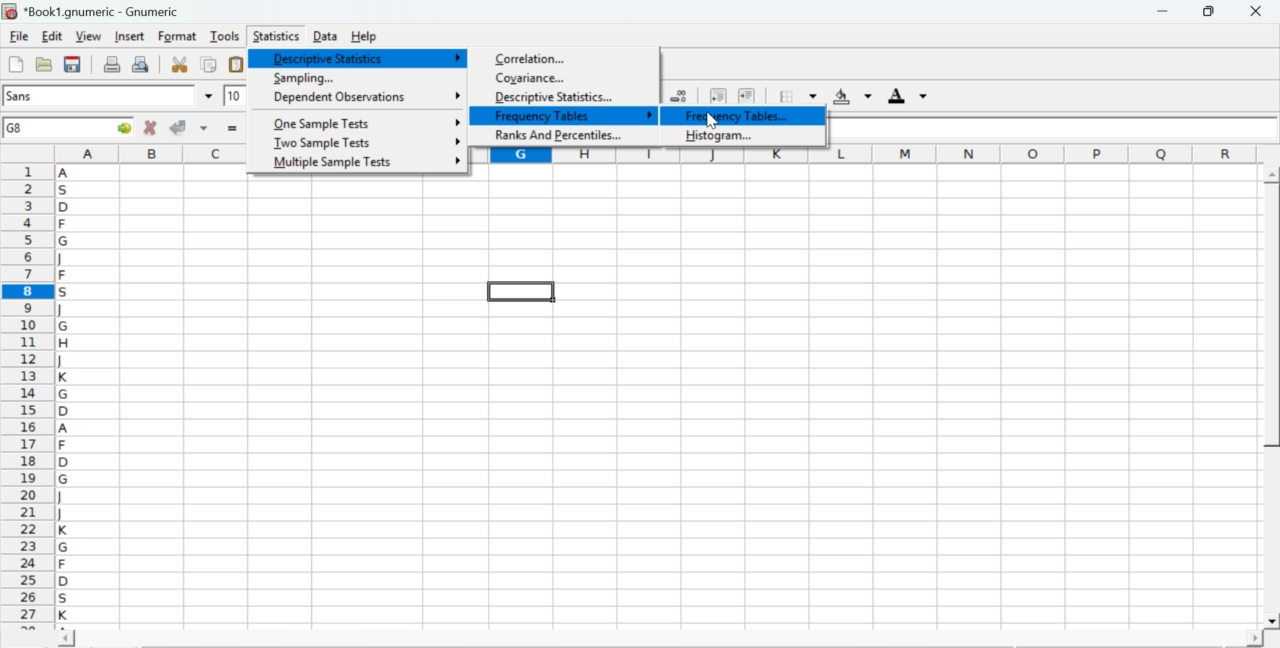 The image size is (1280, 648). I want to click on more, so click(457, 160).